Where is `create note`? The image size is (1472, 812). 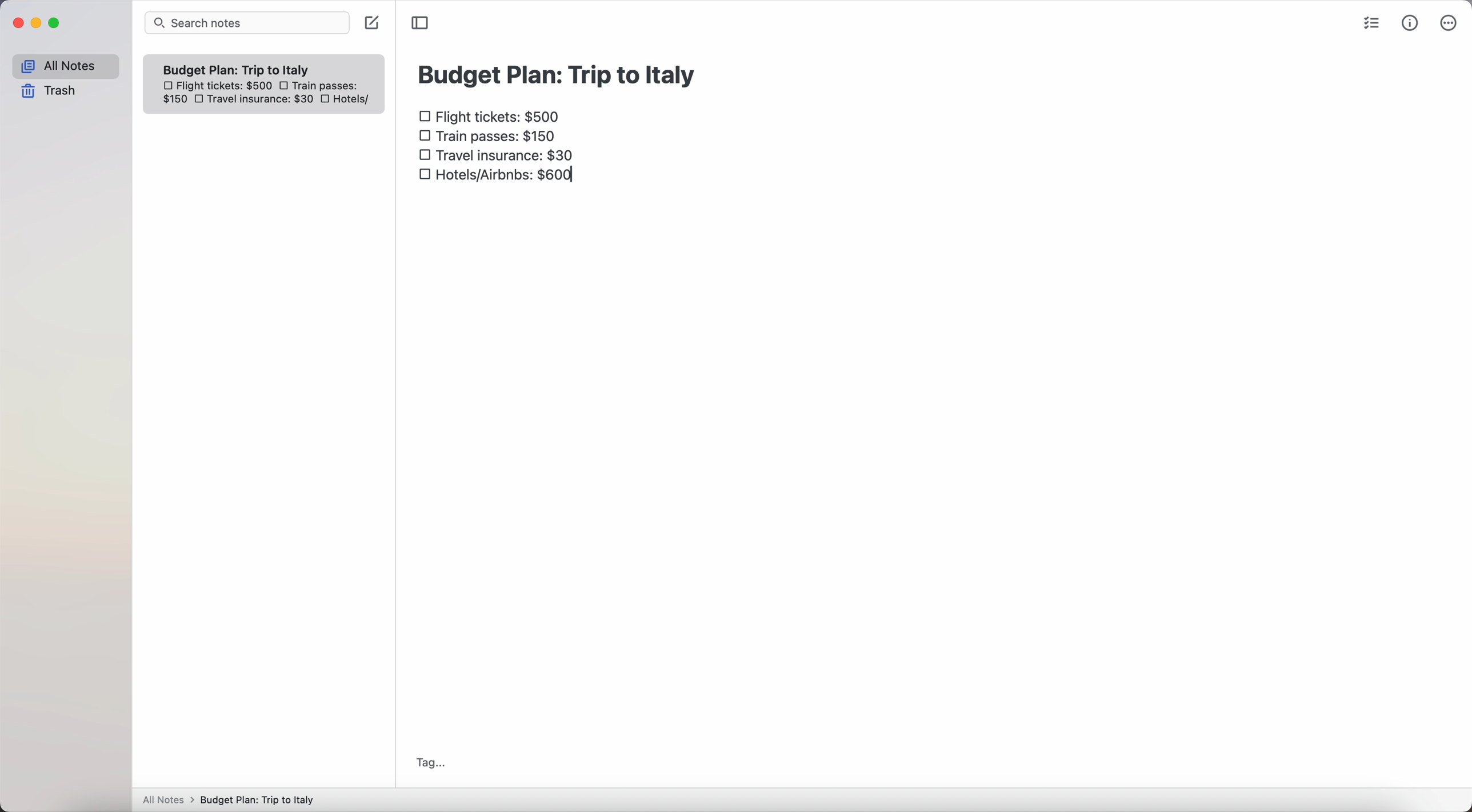
create note is located at coordinates (371, 24).